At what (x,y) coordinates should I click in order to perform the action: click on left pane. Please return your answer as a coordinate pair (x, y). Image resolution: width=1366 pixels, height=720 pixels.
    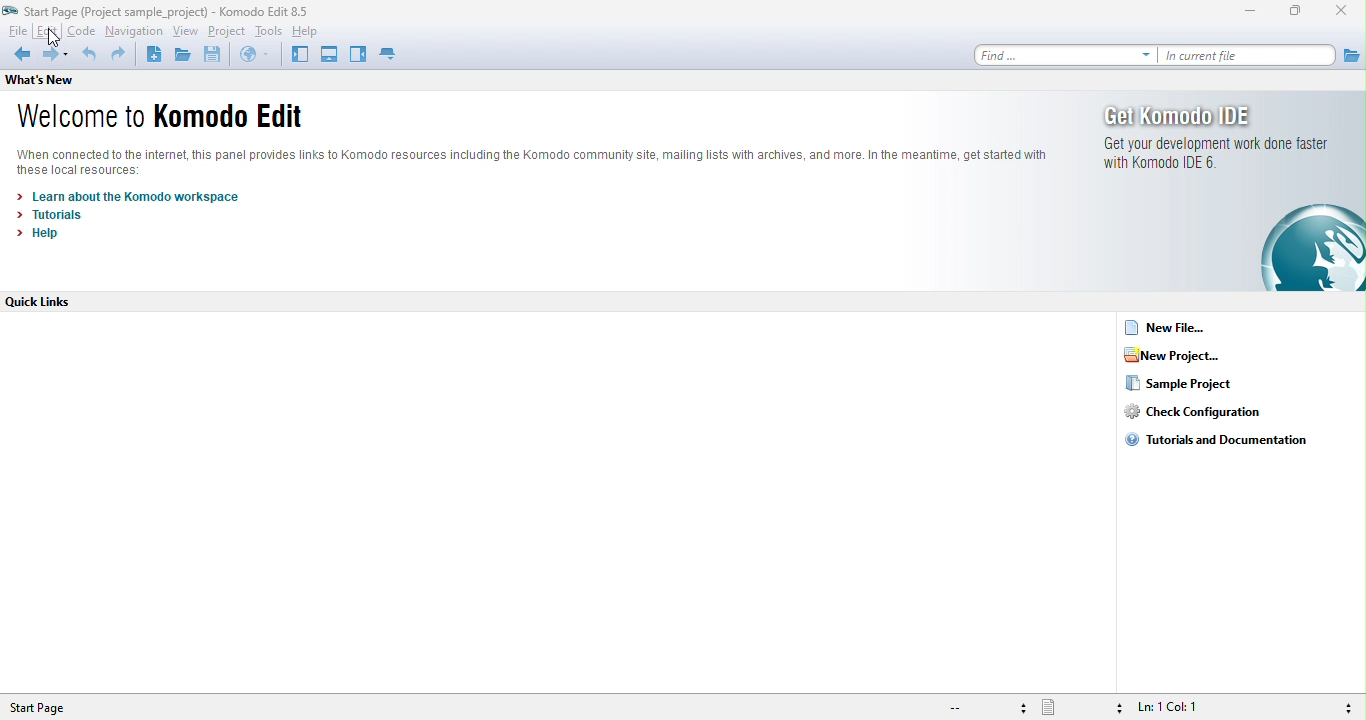
    Looking at the image, I should click on (301, 57).